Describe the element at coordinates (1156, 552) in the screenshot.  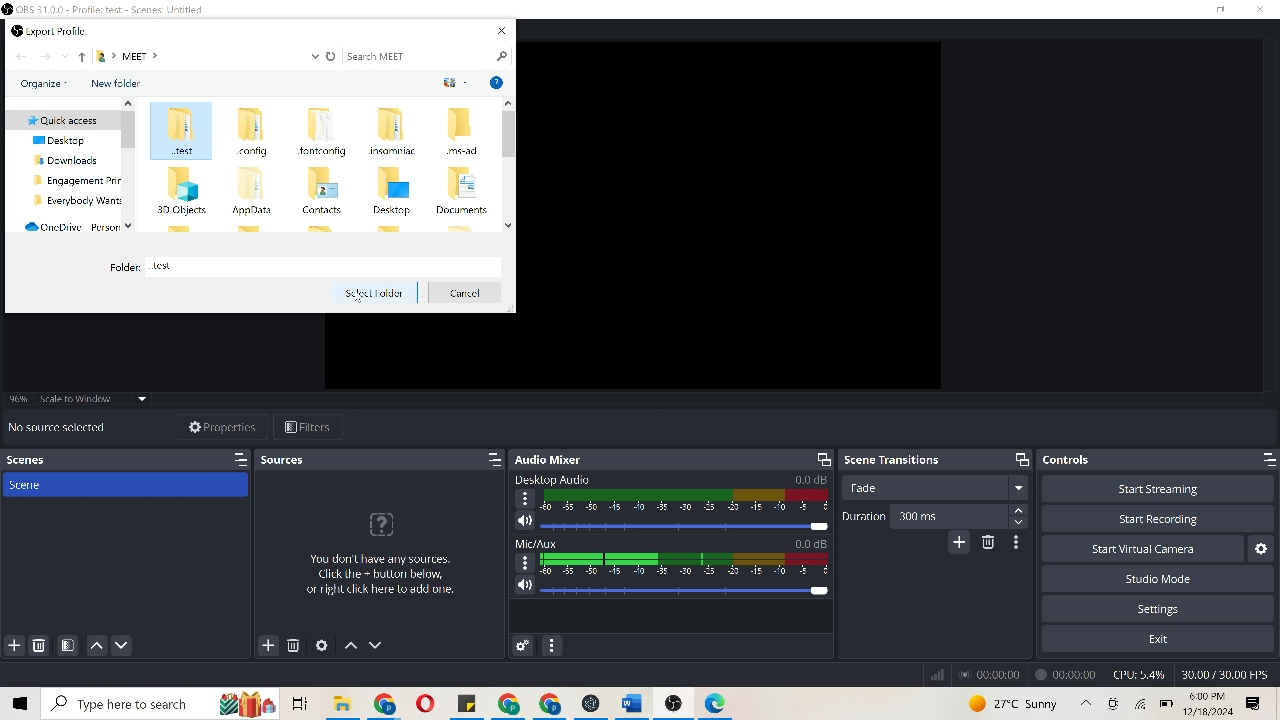
I see `start virtual camera` at that location.